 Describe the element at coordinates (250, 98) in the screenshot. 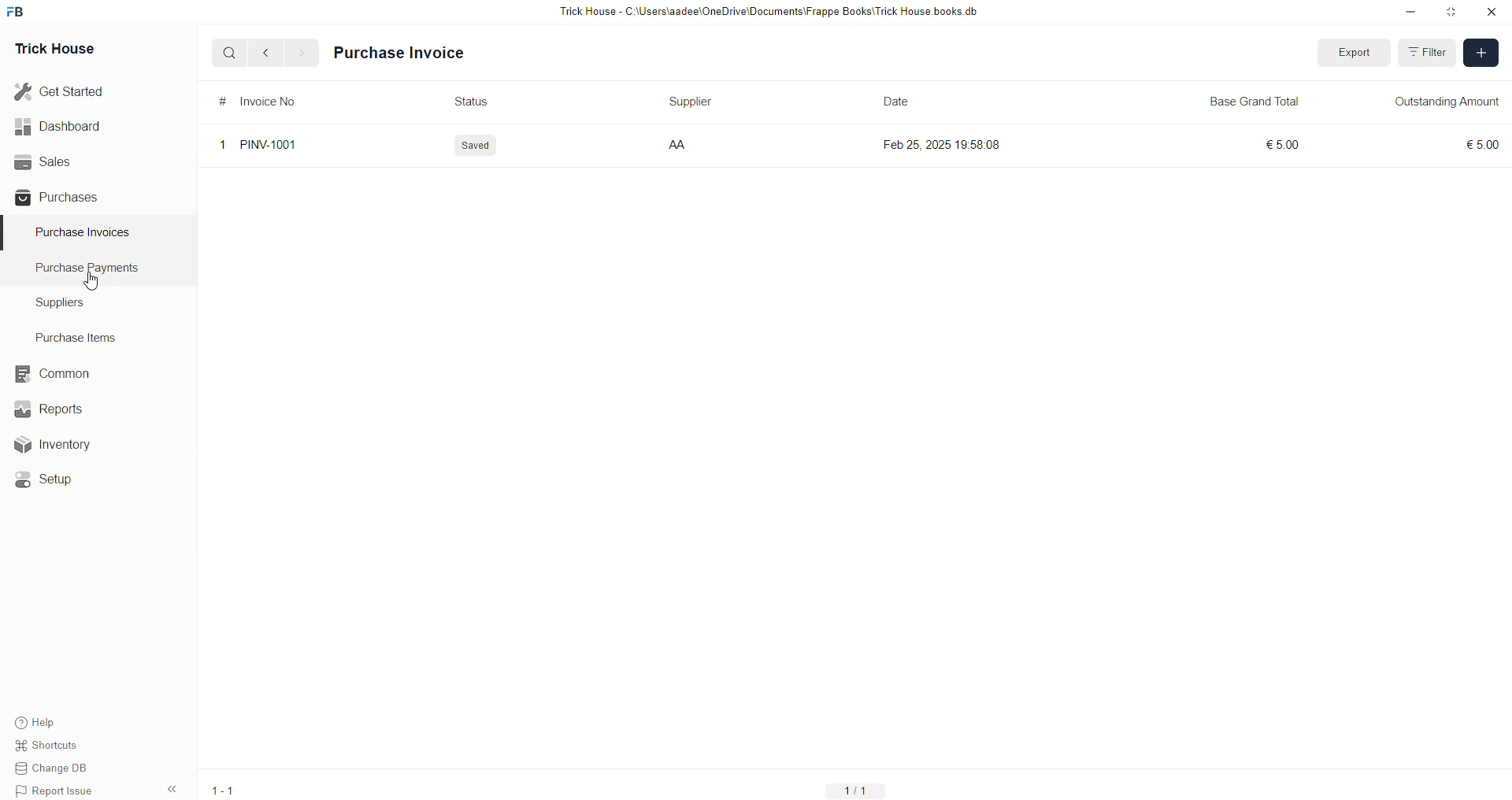

I see `# Invoice No` at that location.